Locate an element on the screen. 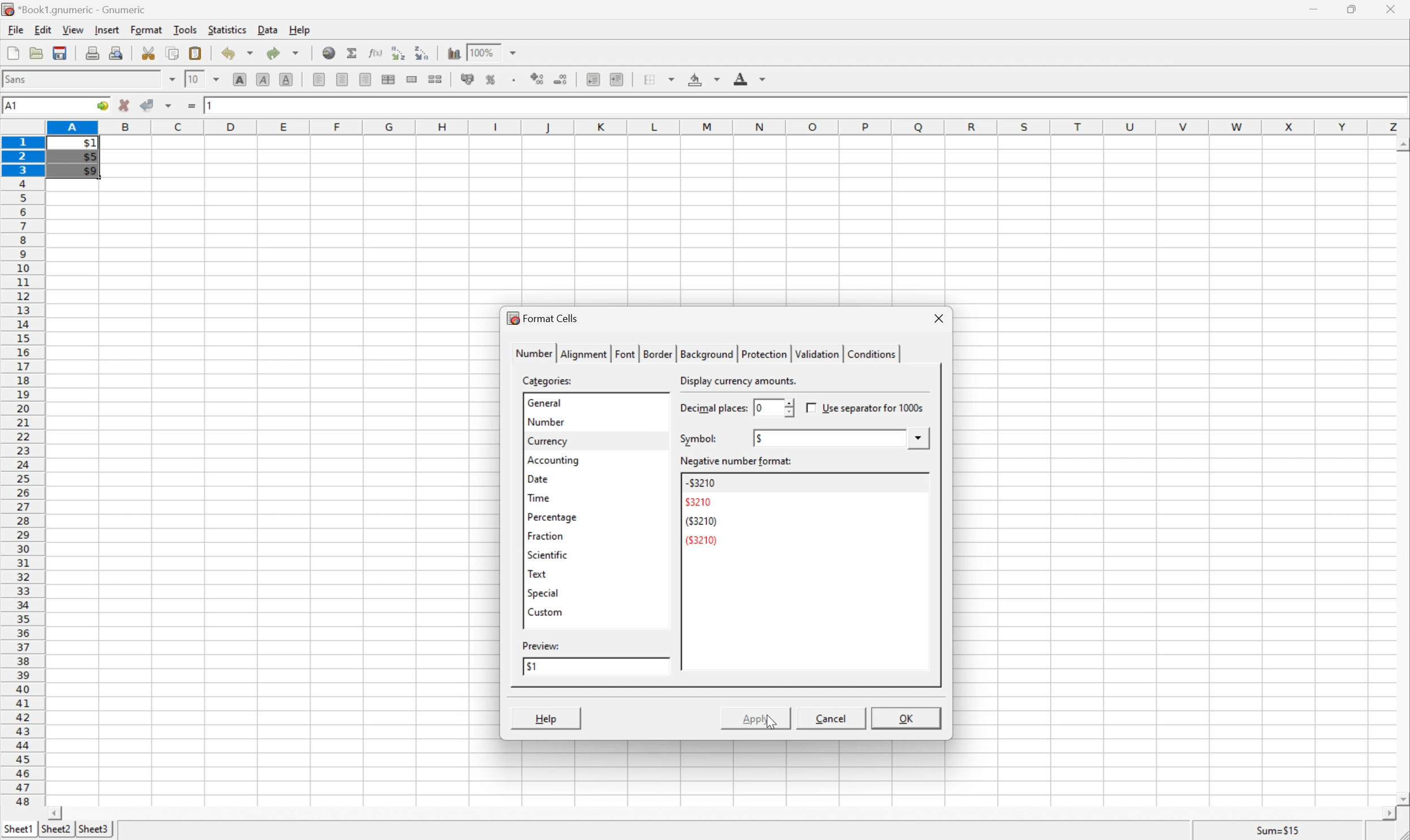 The width and height of the screenshot is (1410, 840). borders is located at coordinates (657, 79).